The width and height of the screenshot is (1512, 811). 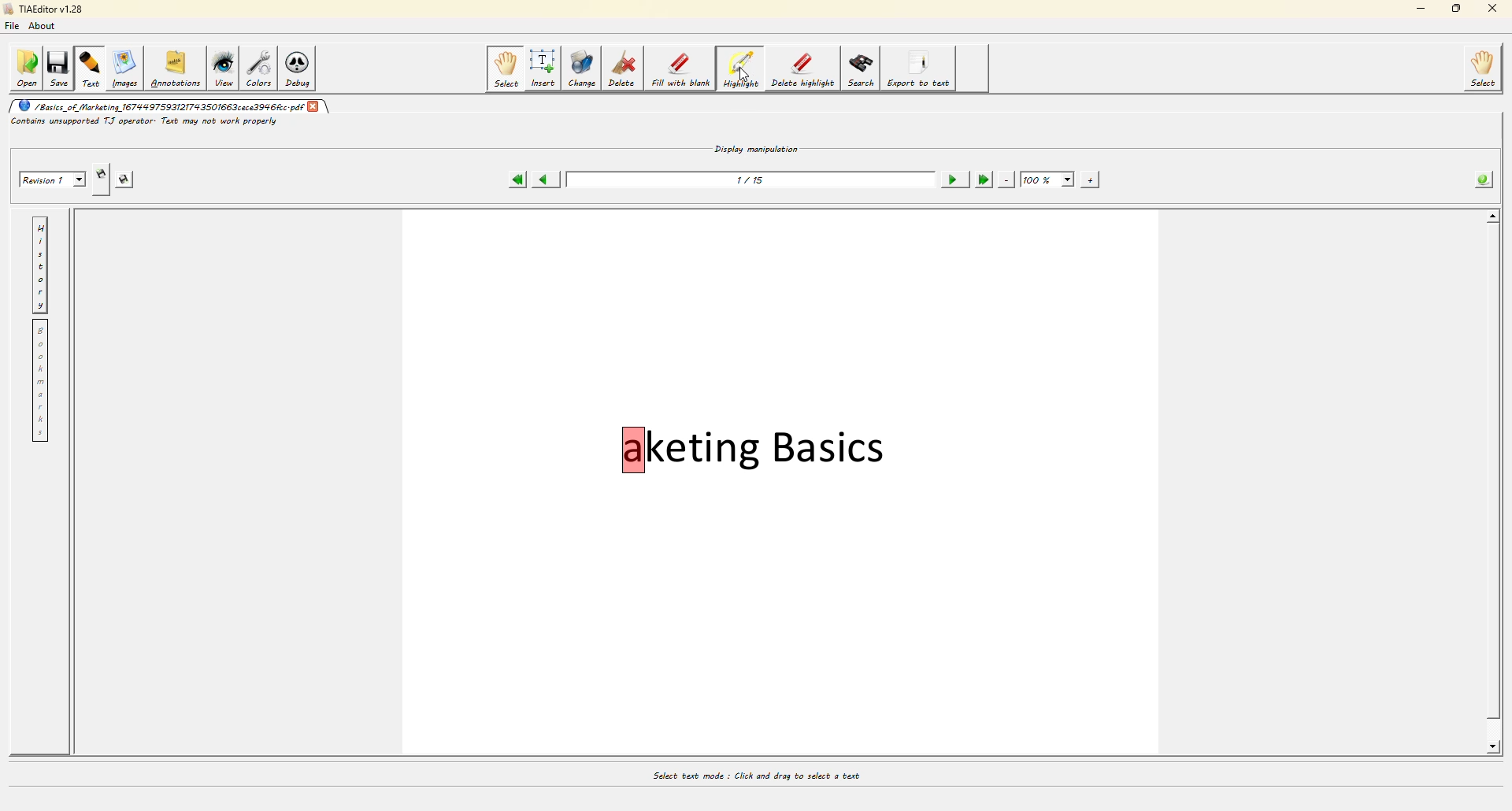 I want to click on change, so click(x=580, y=68).